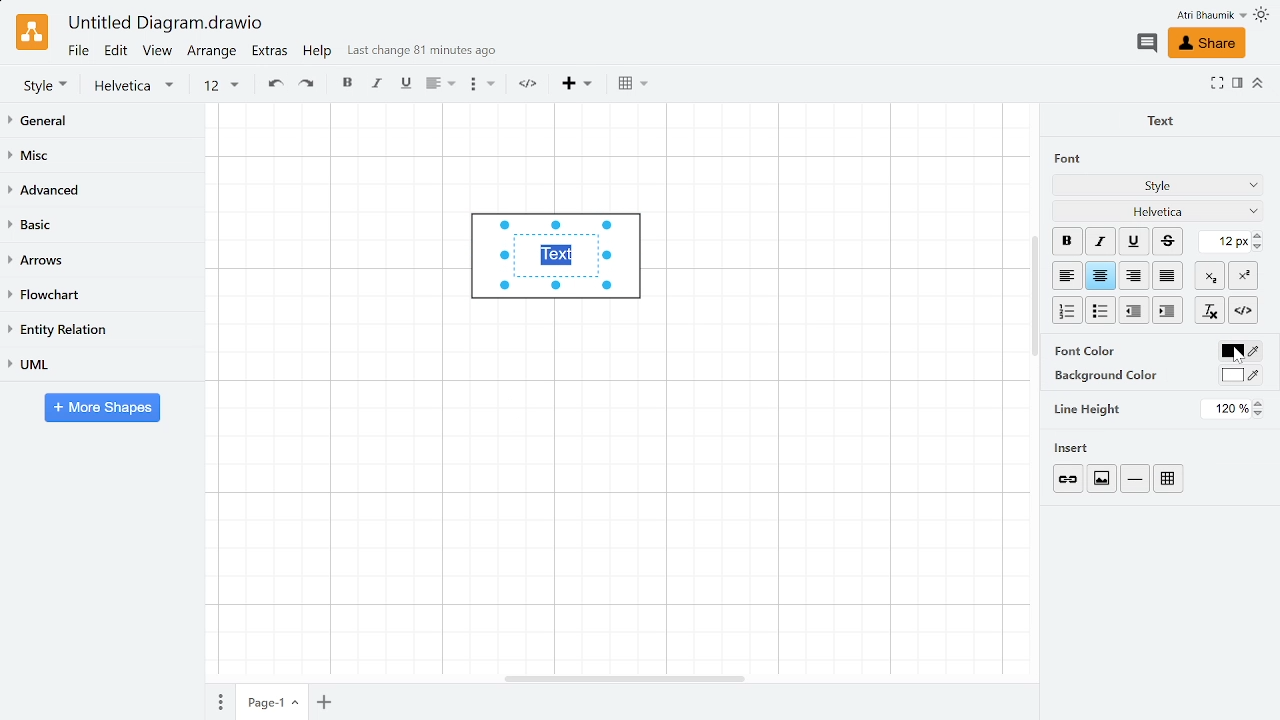 The height and width of the screenshot is (720, 1280). I want to click on Help, so click(319, 54).